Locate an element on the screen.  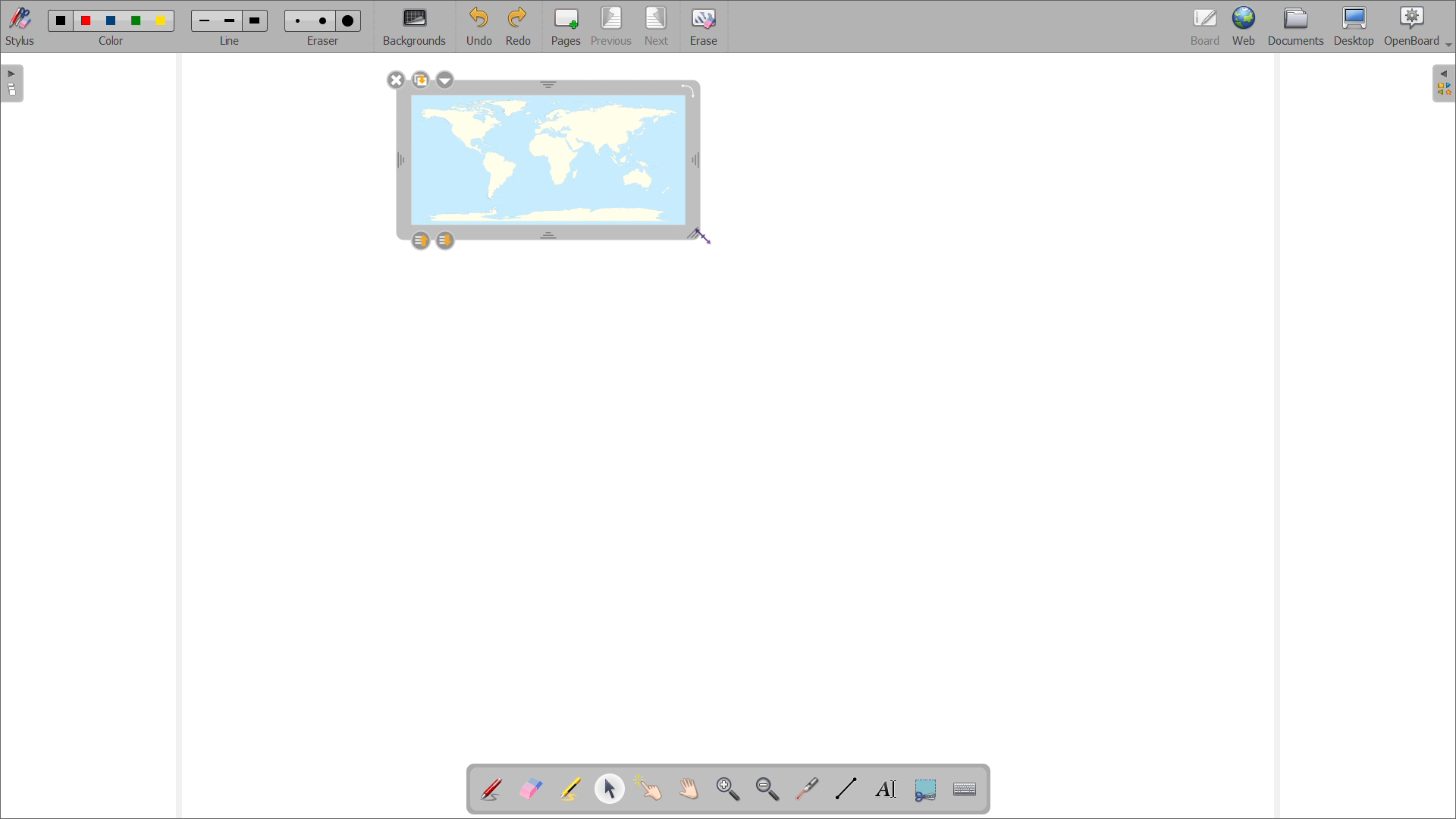
virtual laser pointer is located at coordinates (808, 789).